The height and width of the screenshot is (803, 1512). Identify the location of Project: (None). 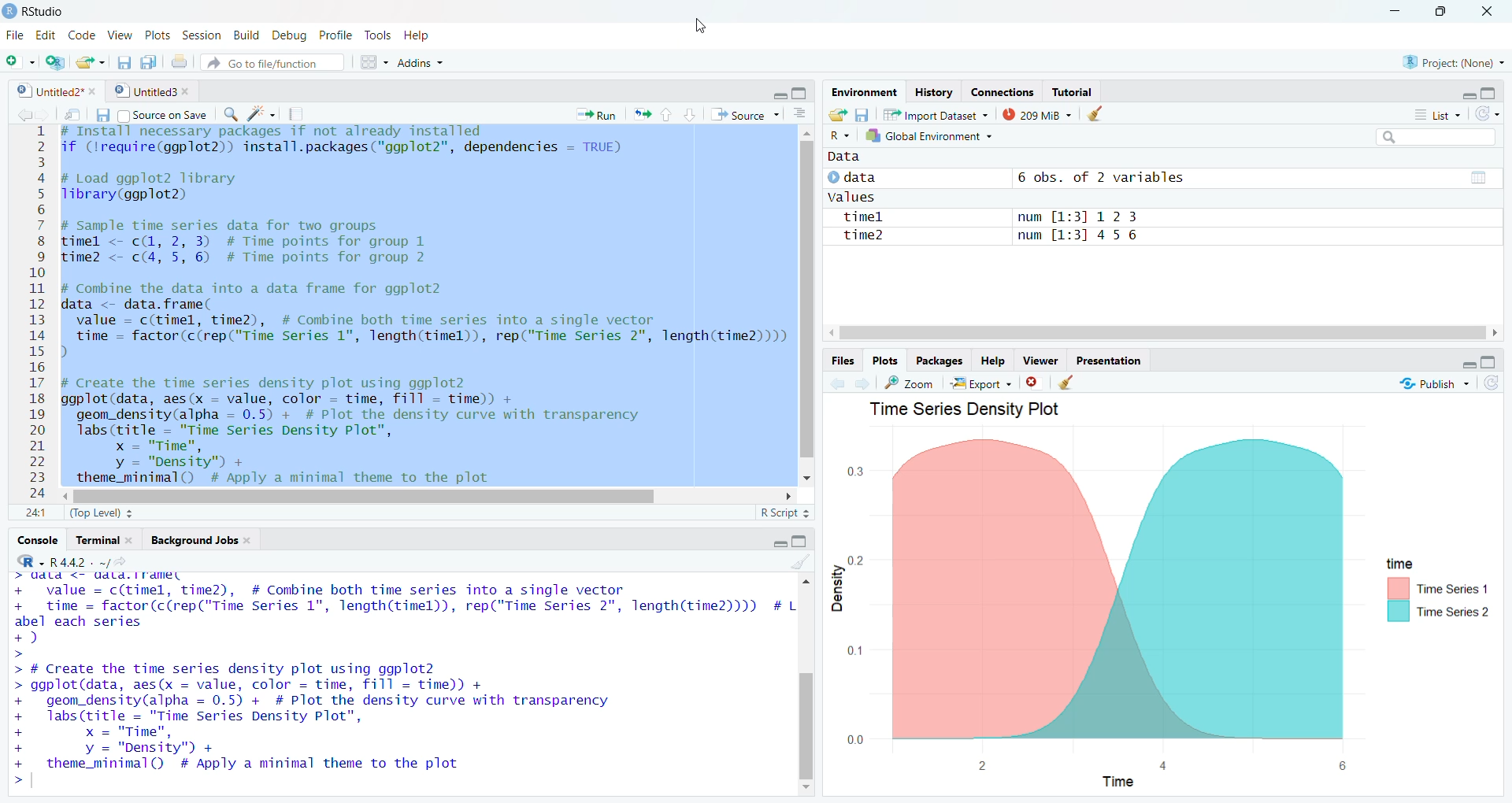
(1454, 62).